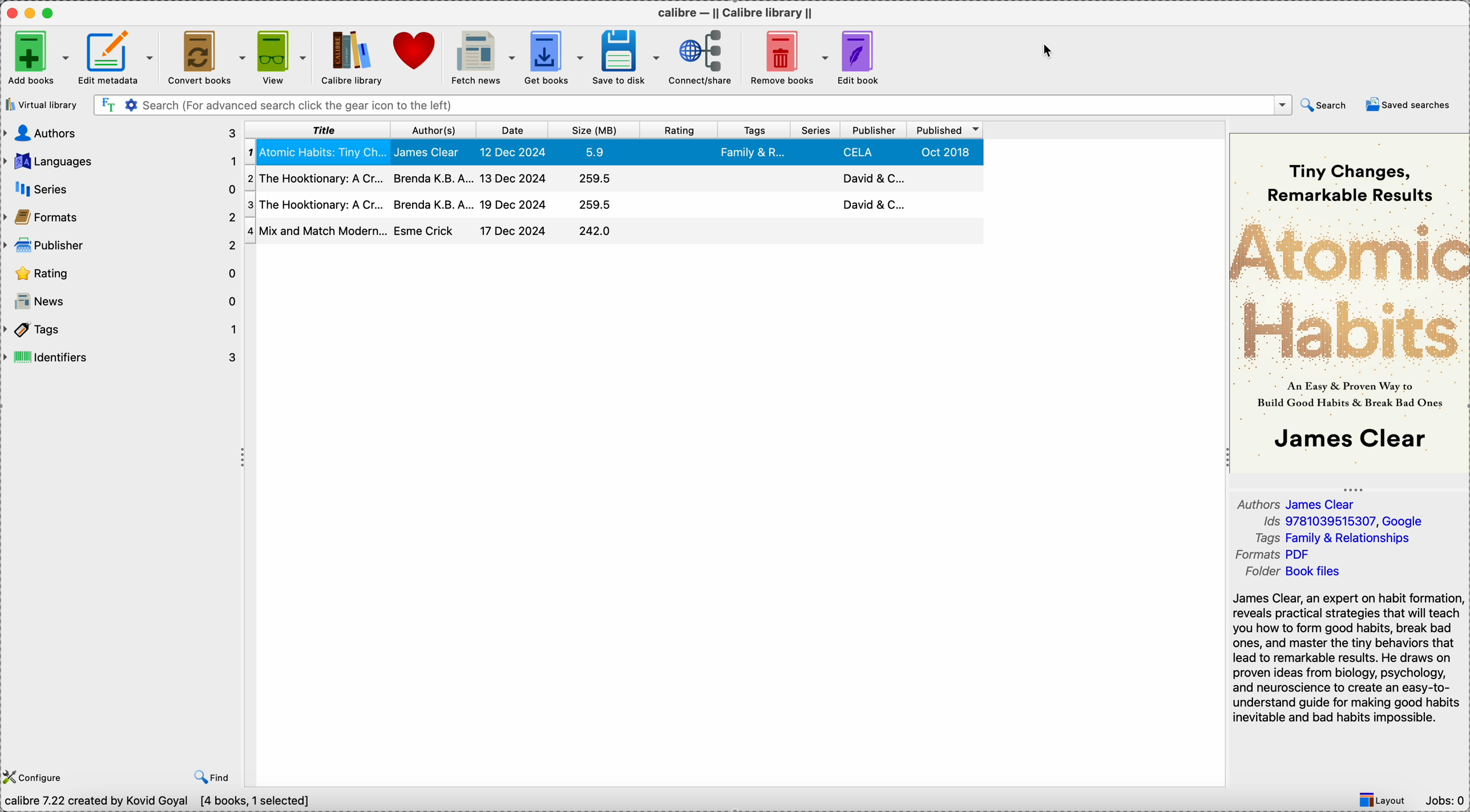  Describe the element at coordinates (786, 58) in the screenshot. I see `remove books` at that location.